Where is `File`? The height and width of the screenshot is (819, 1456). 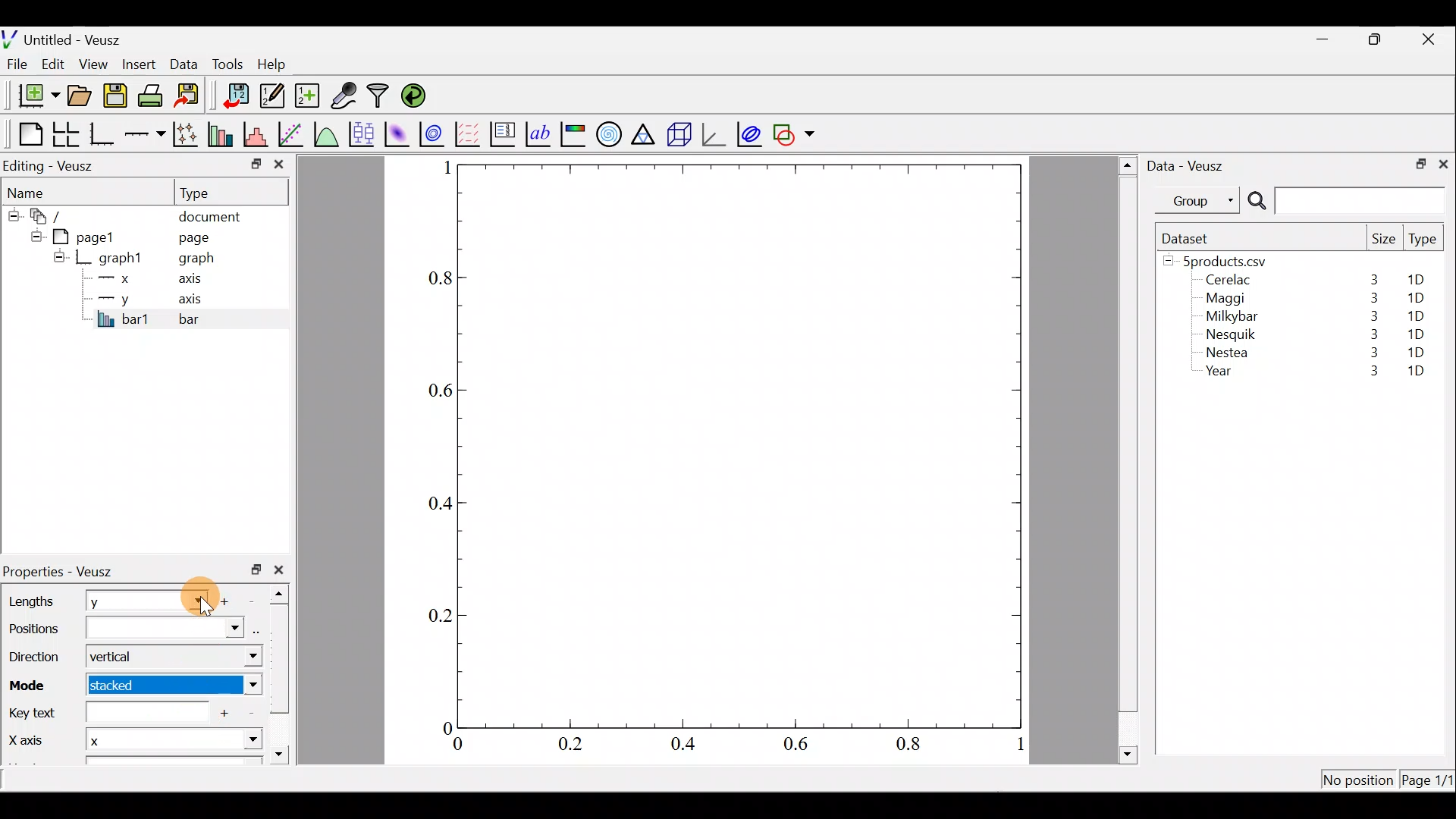
File is located at coordinates (14, 64).